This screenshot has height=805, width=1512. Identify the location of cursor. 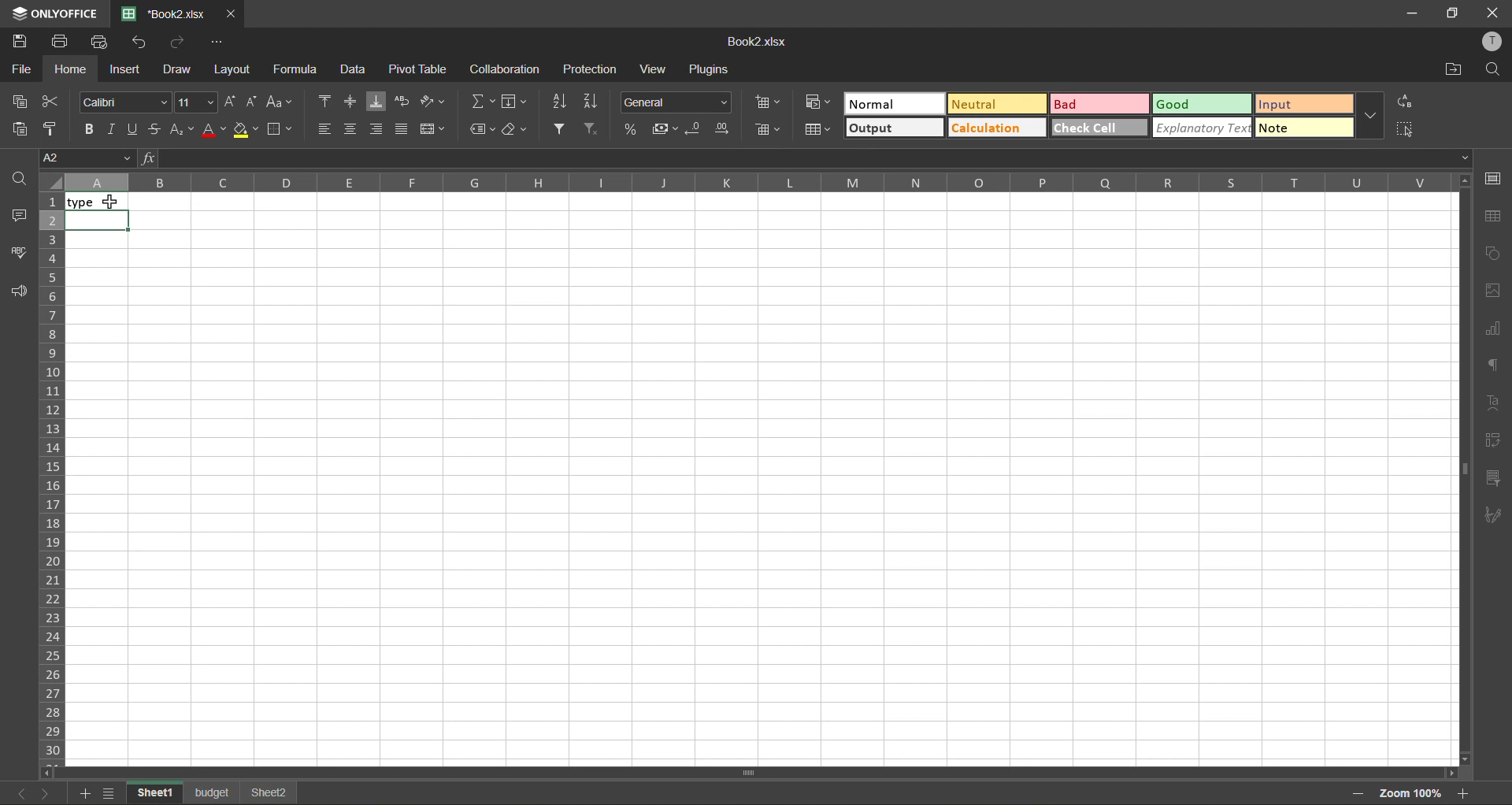
(109, 206).